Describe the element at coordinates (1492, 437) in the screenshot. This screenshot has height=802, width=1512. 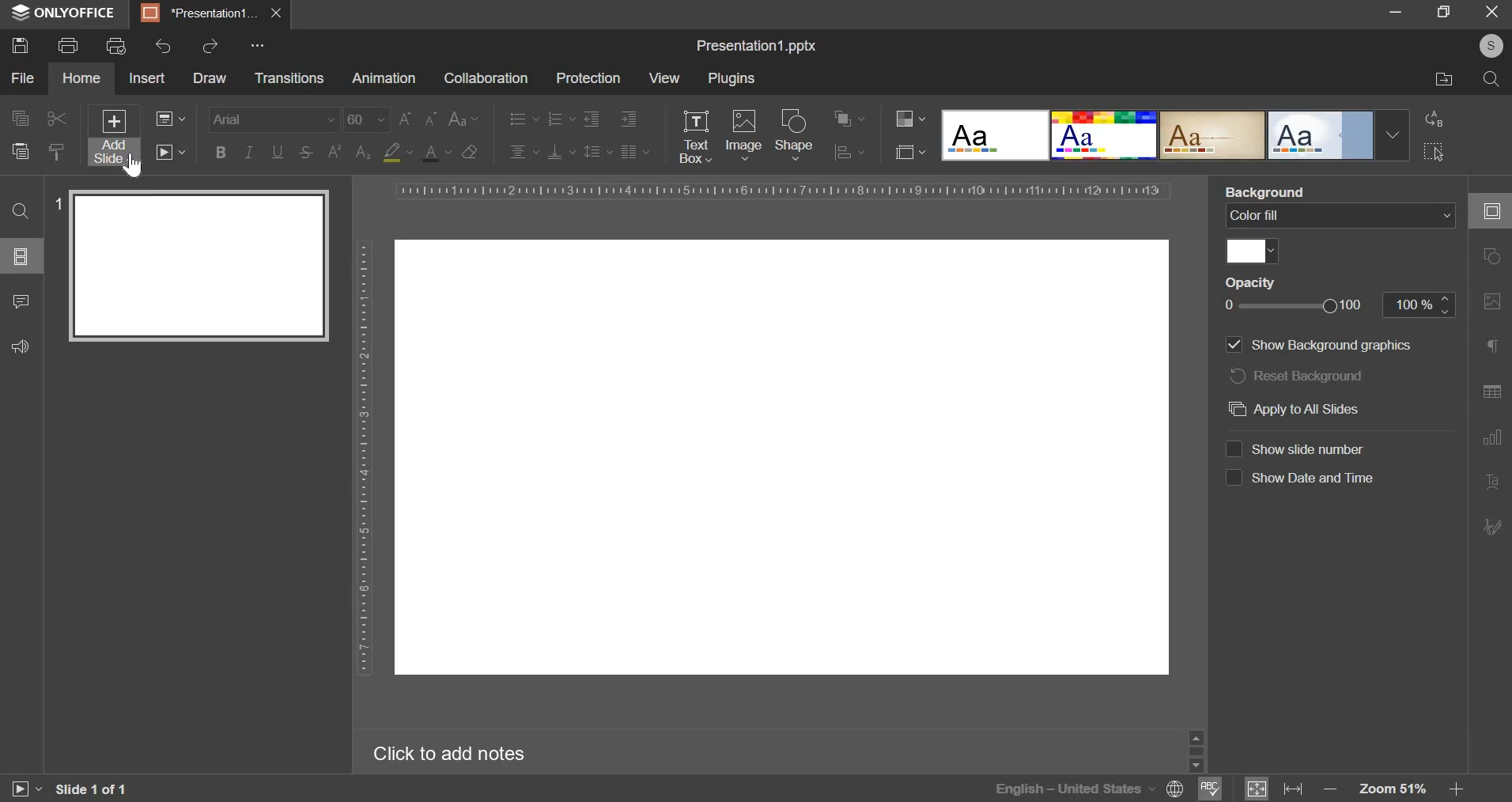
I see `chart settings` at that location.